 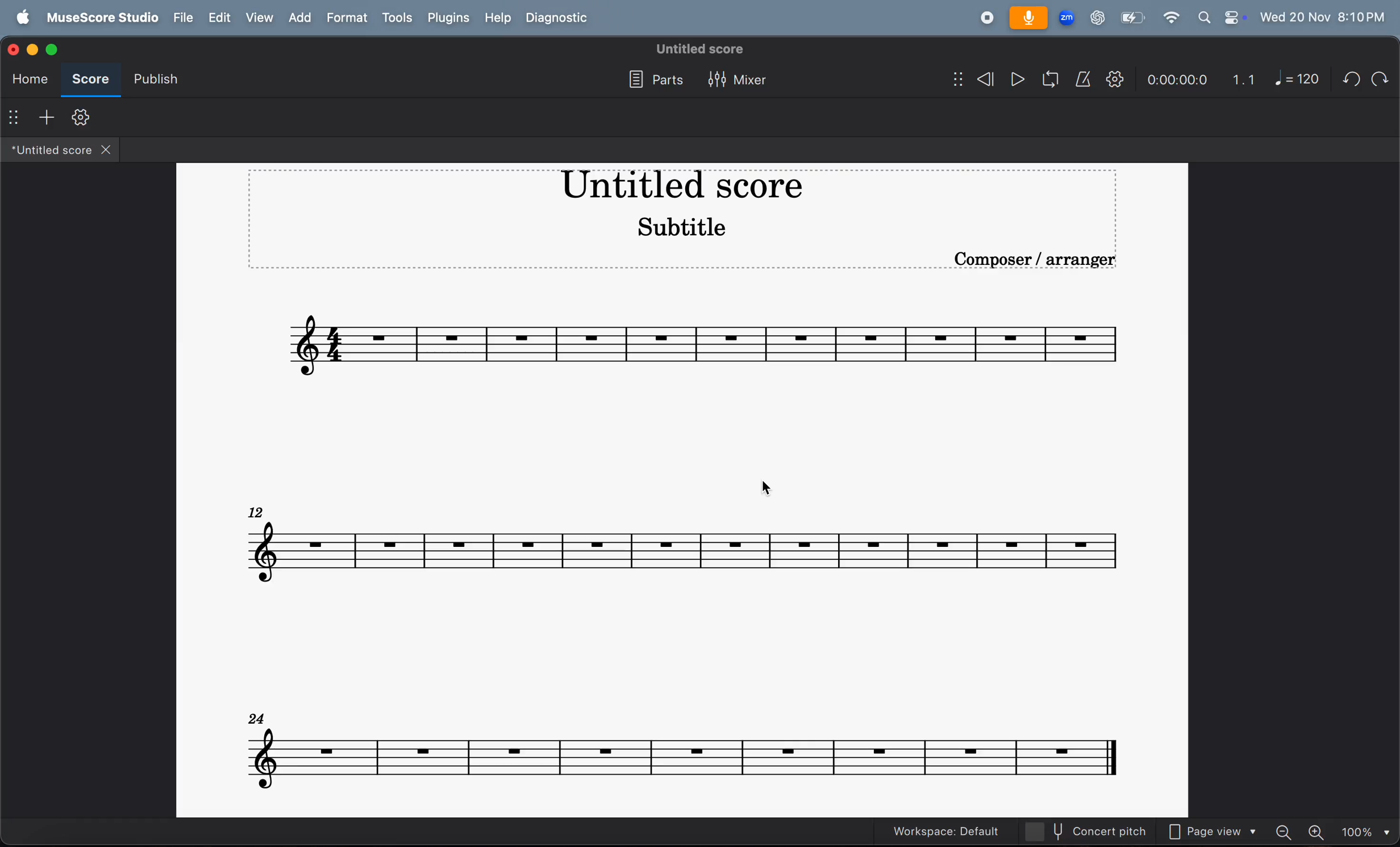 What do you see at coordinates (157, 78) in the screenshot?
I see `publish` at bounding box center [157, 78].